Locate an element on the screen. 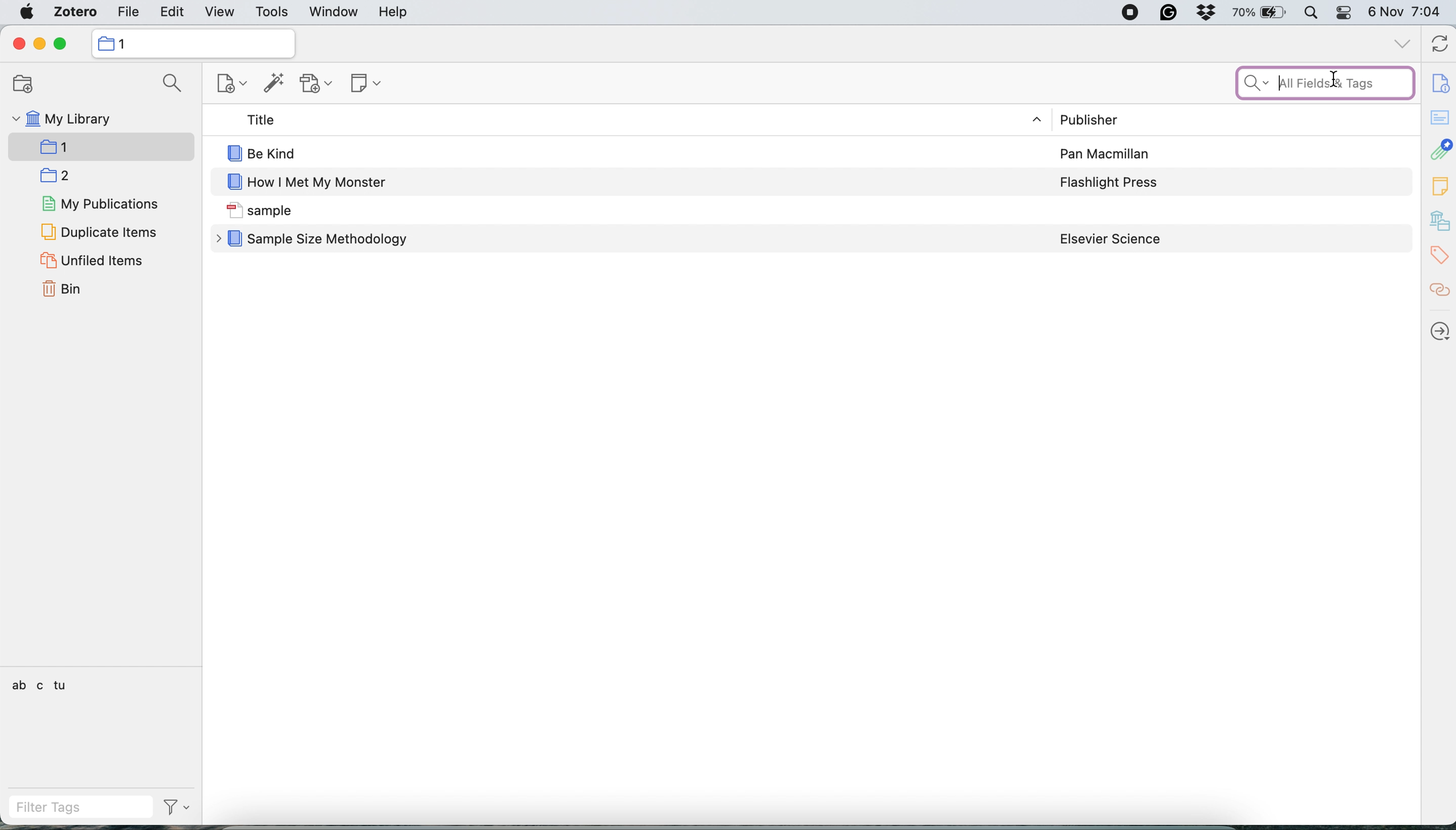 The width and height of the screenshot is (1456, 830). view is located at coordinates (221, 11).